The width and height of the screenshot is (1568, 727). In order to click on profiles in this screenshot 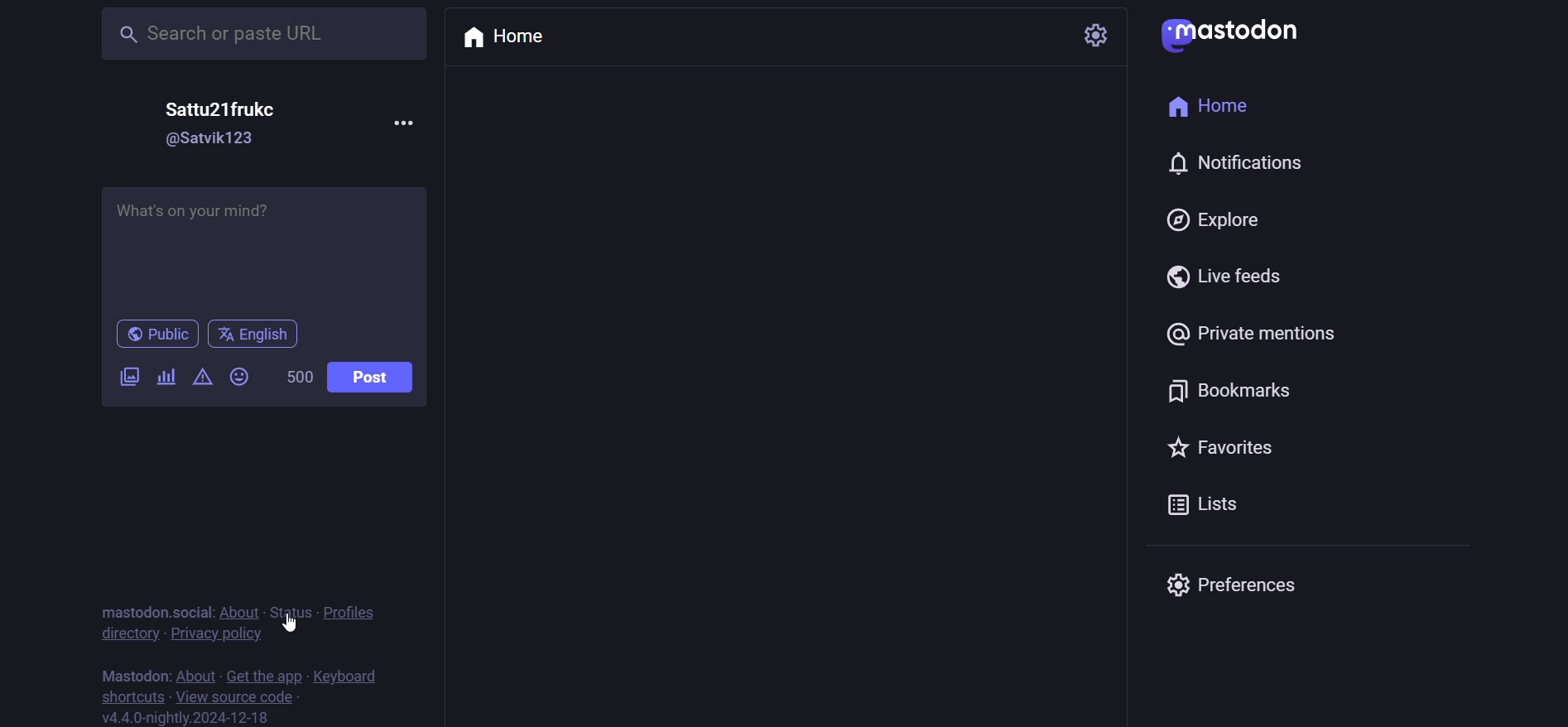, I will do `click(354, 614)`.